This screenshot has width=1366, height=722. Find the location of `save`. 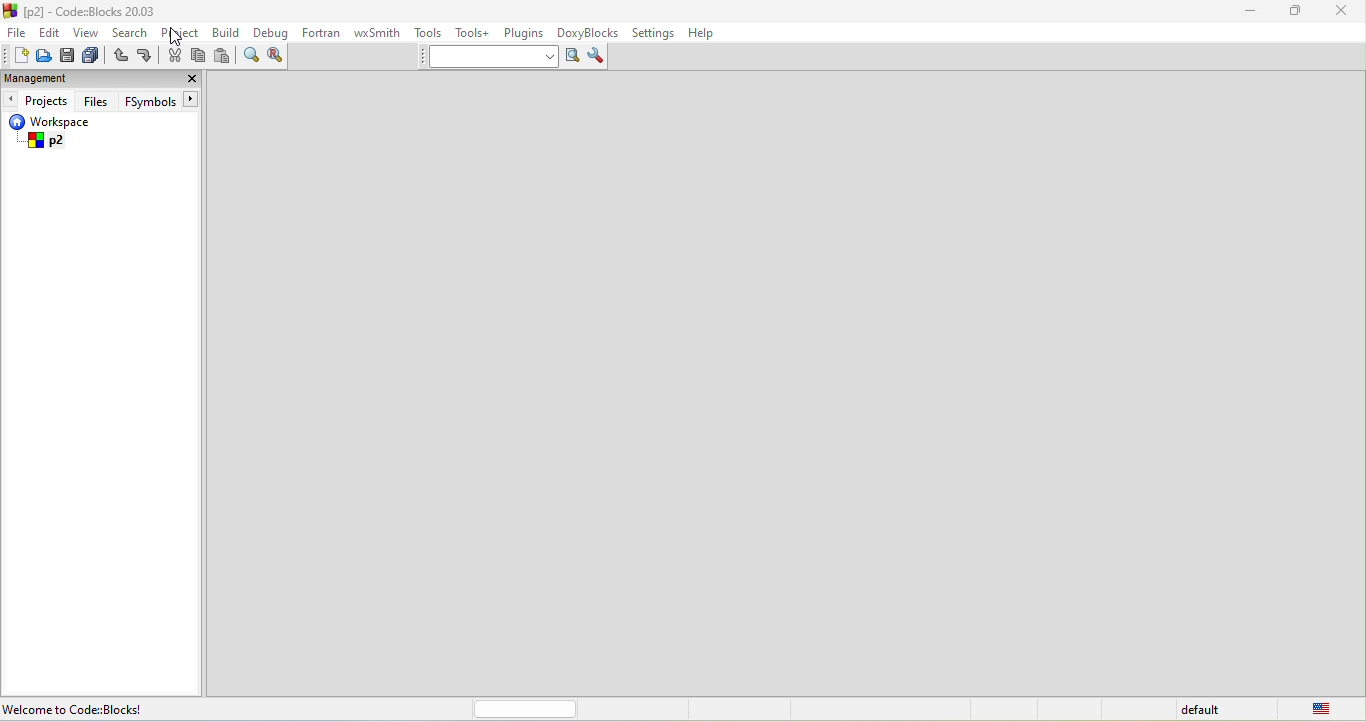

save is located at coordinates (68, 55).